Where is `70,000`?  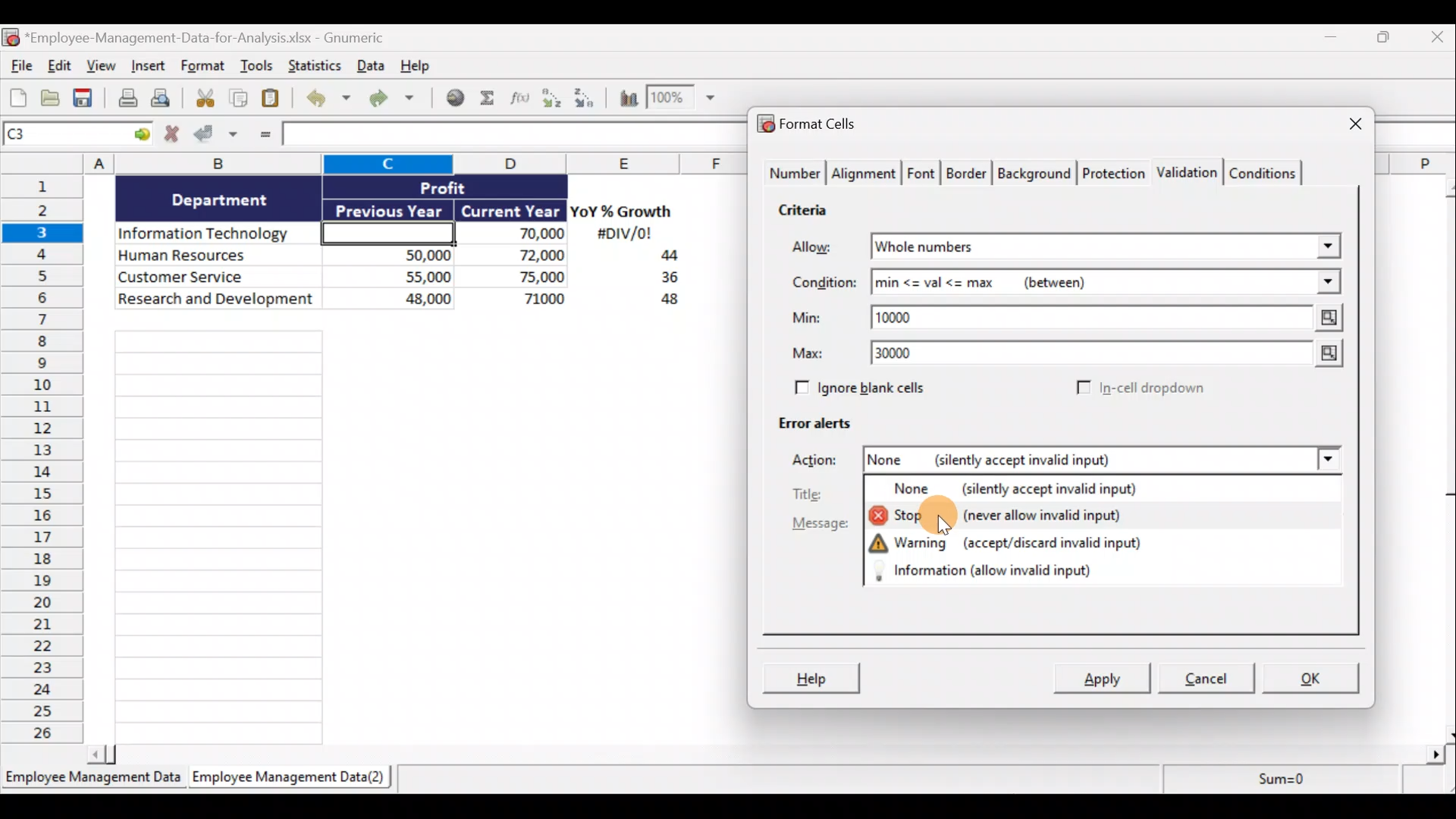
70,000 is located at coordinates (519, 234).